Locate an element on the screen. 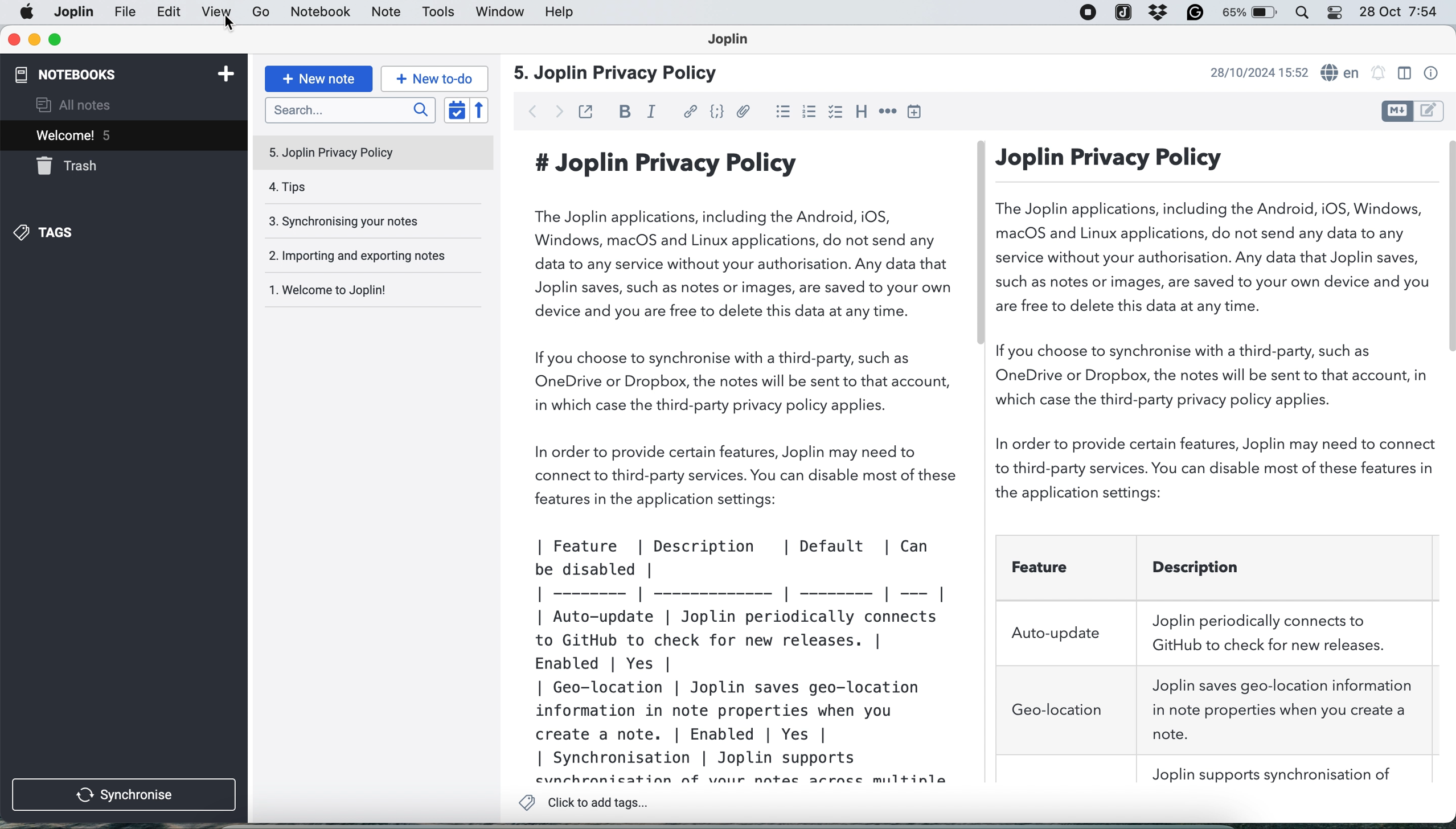 The height and width of the screenshot is (829, 1456). toggle editor layout is located at coordinates (1404, 73).